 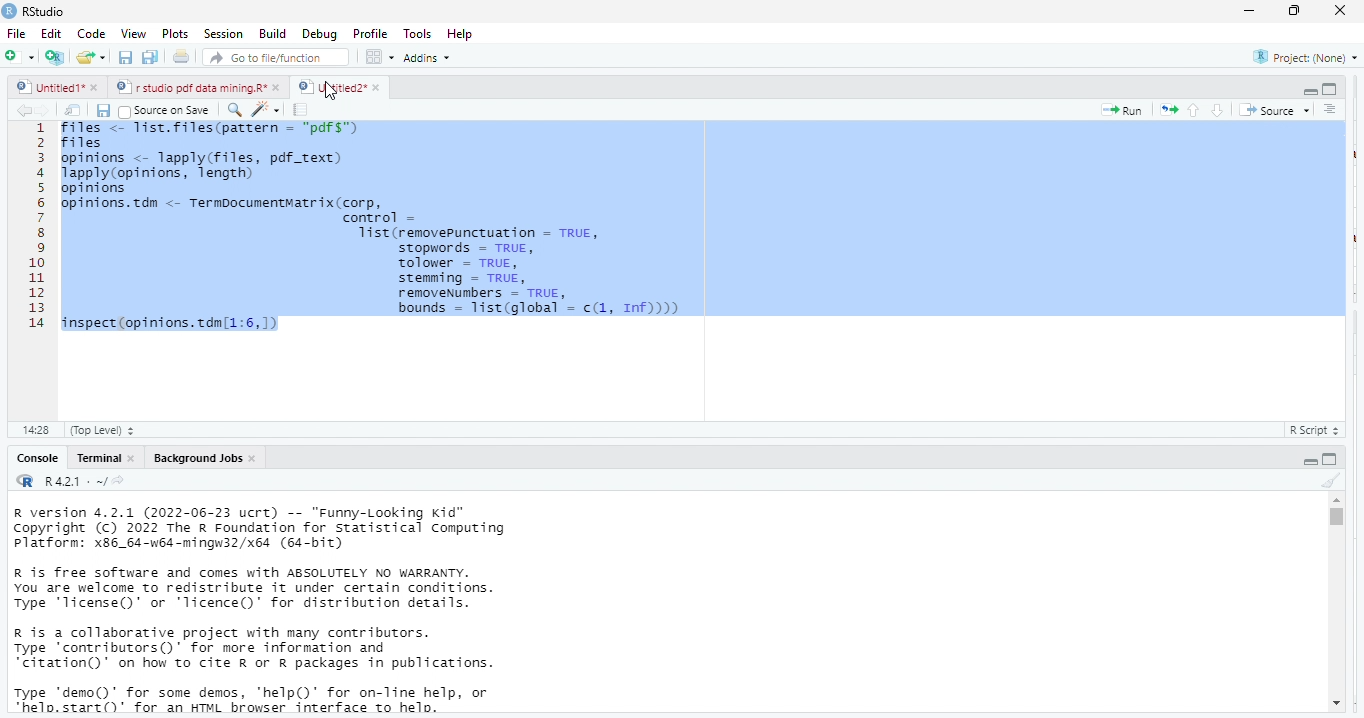 I want to click on new file, so click(x=18, y=56).